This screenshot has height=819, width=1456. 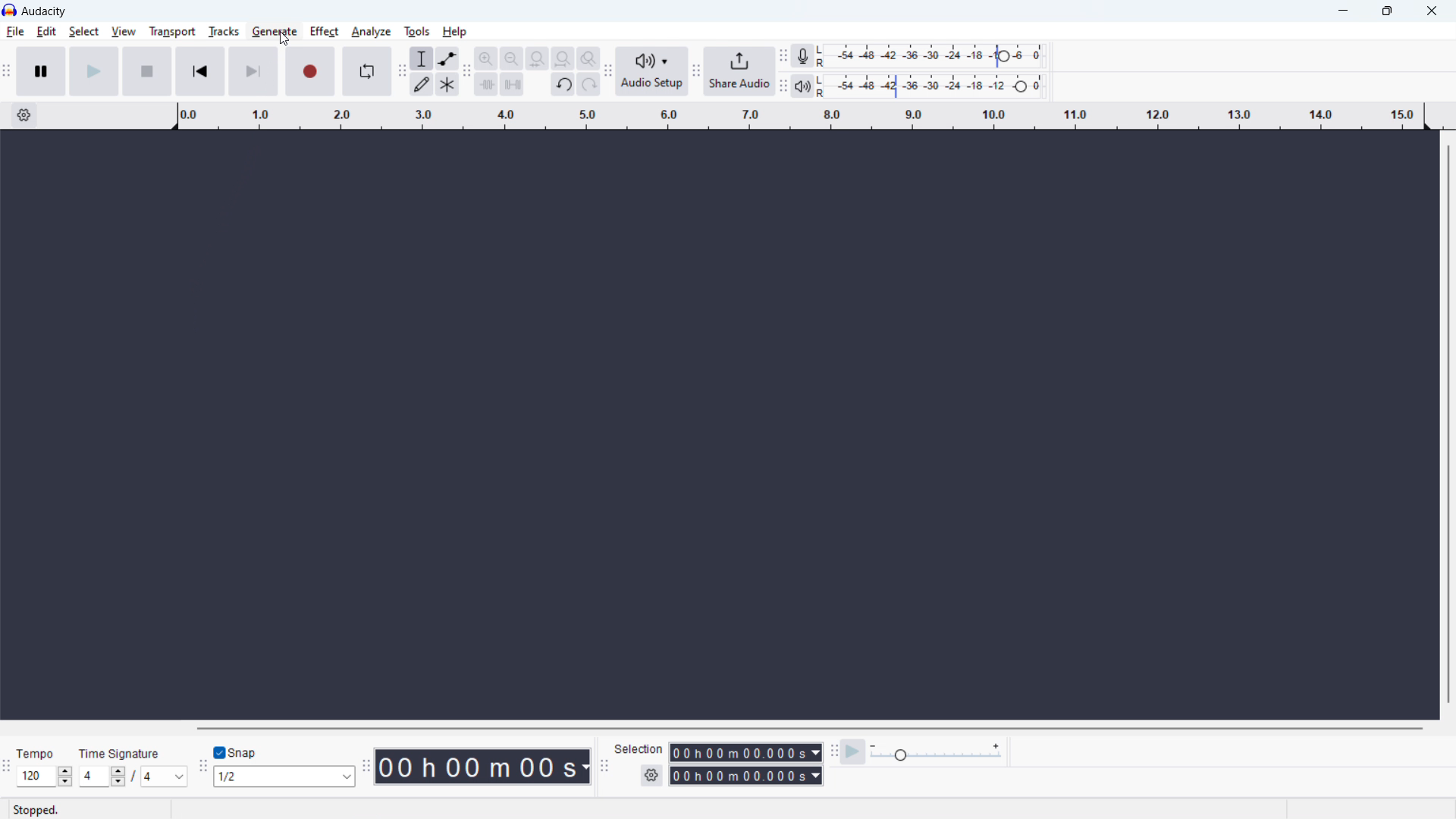 What do you see at coordinates (604, 766) in the screenshot?
I see `selection toolbar` at bounding box center [604, 766].